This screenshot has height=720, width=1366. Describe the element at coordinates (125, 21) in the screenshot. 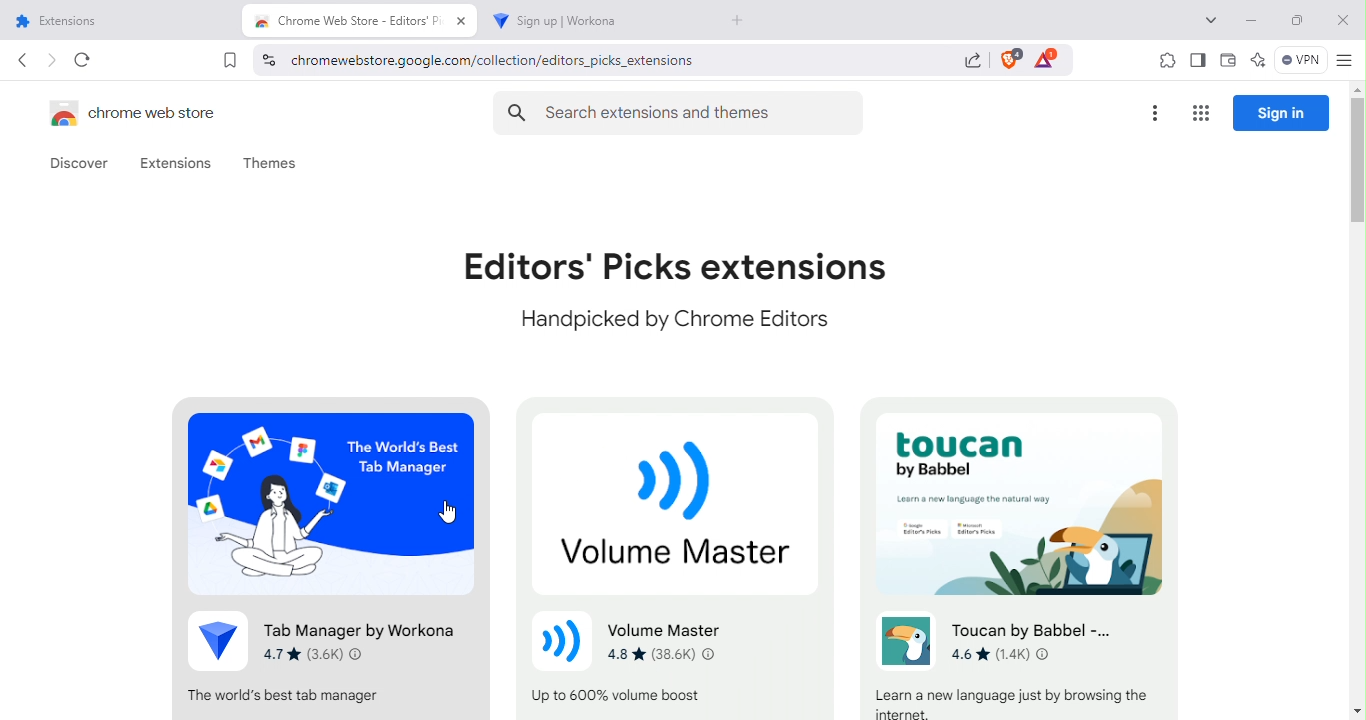

I see `Extensions tab` at that location.